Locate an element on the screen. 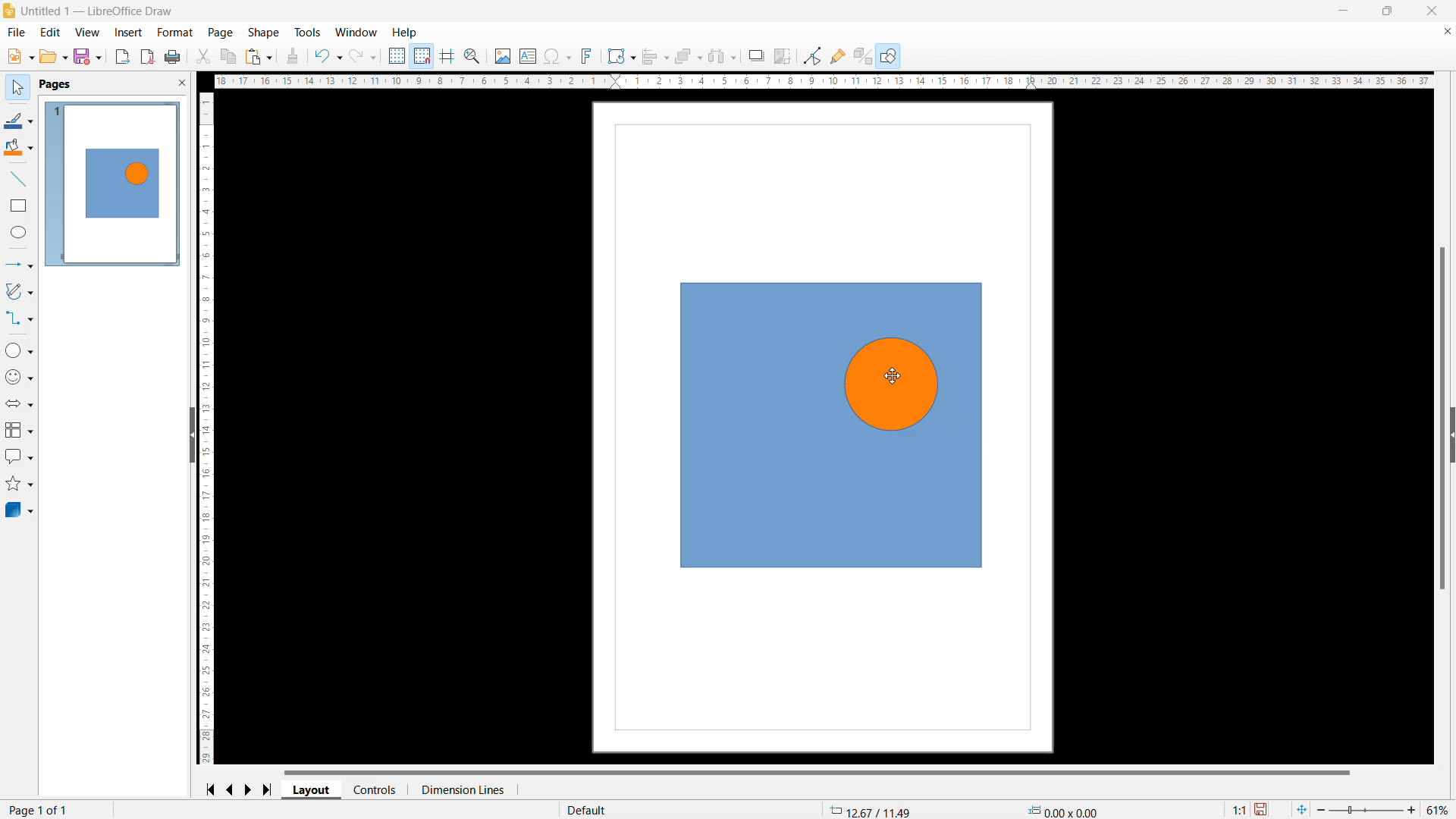 Image resolution: width=1456 pixels, height=819 pixels. shape is located at coordinates (264, 33).